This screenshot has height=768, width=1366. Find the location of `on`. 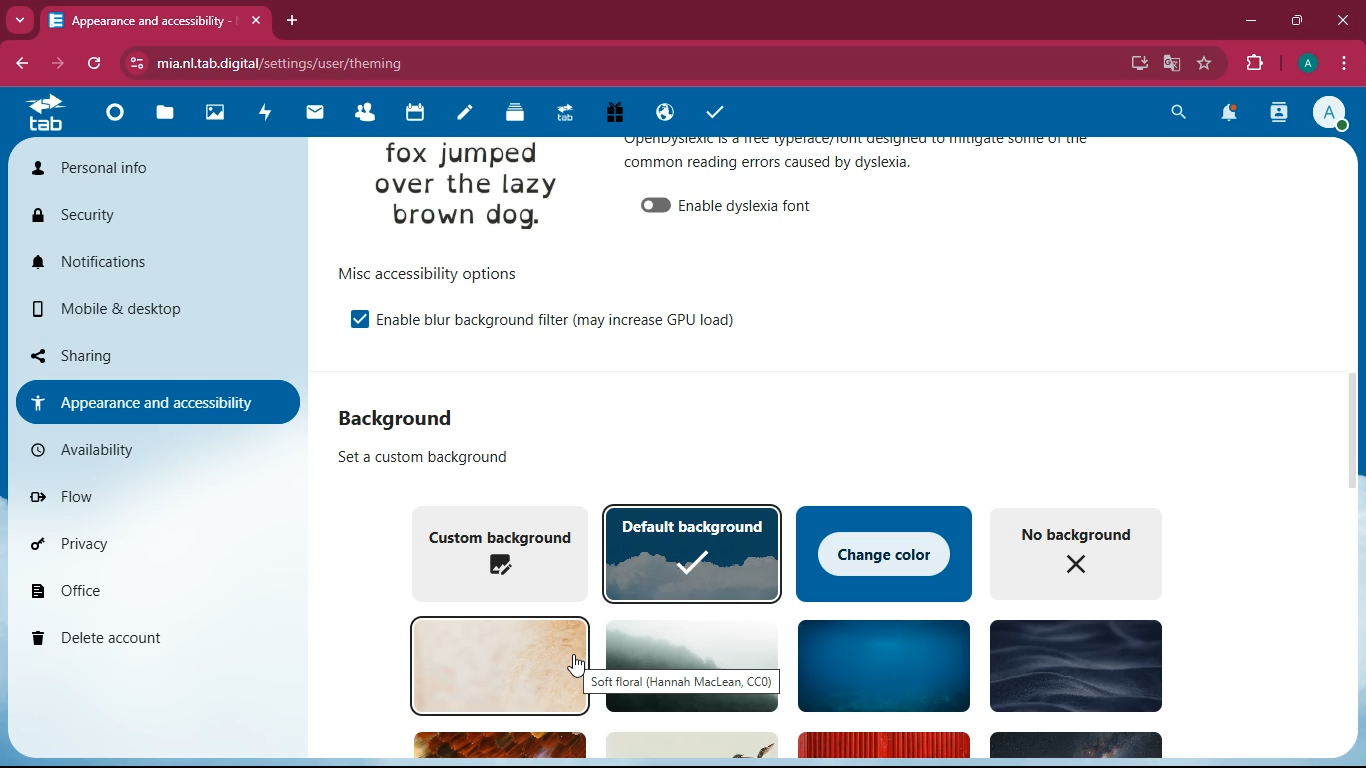

on is located at coordinates (357, 318).